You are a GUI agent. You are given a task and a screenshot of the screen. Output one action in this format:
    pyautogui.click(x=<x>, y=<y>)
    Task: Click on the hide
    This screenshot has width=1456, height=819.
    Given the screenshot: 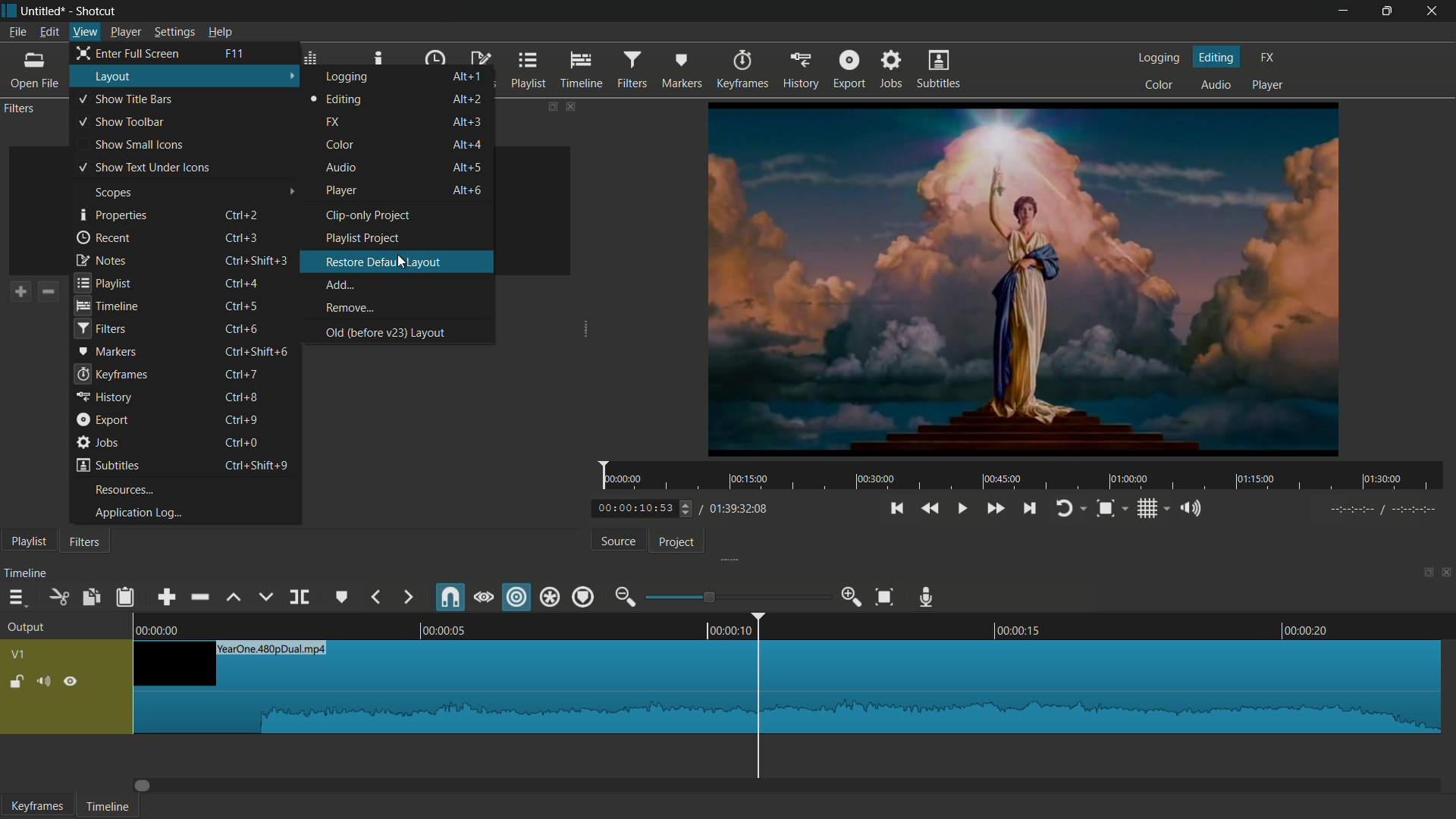 What is the action you would take?
    pyautogui.click(x=71, y=682)
    